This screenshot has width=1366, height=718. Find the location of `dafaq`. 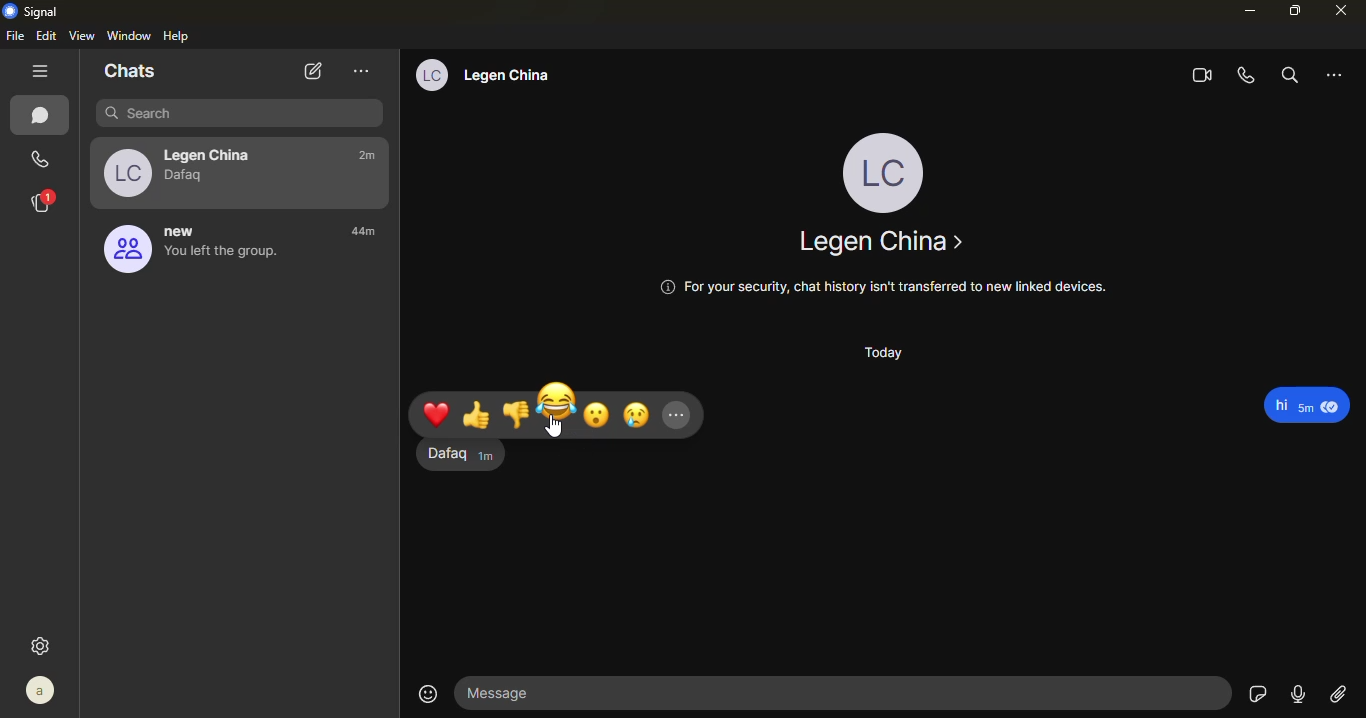

dafaq is located at coordinates (189, 177).